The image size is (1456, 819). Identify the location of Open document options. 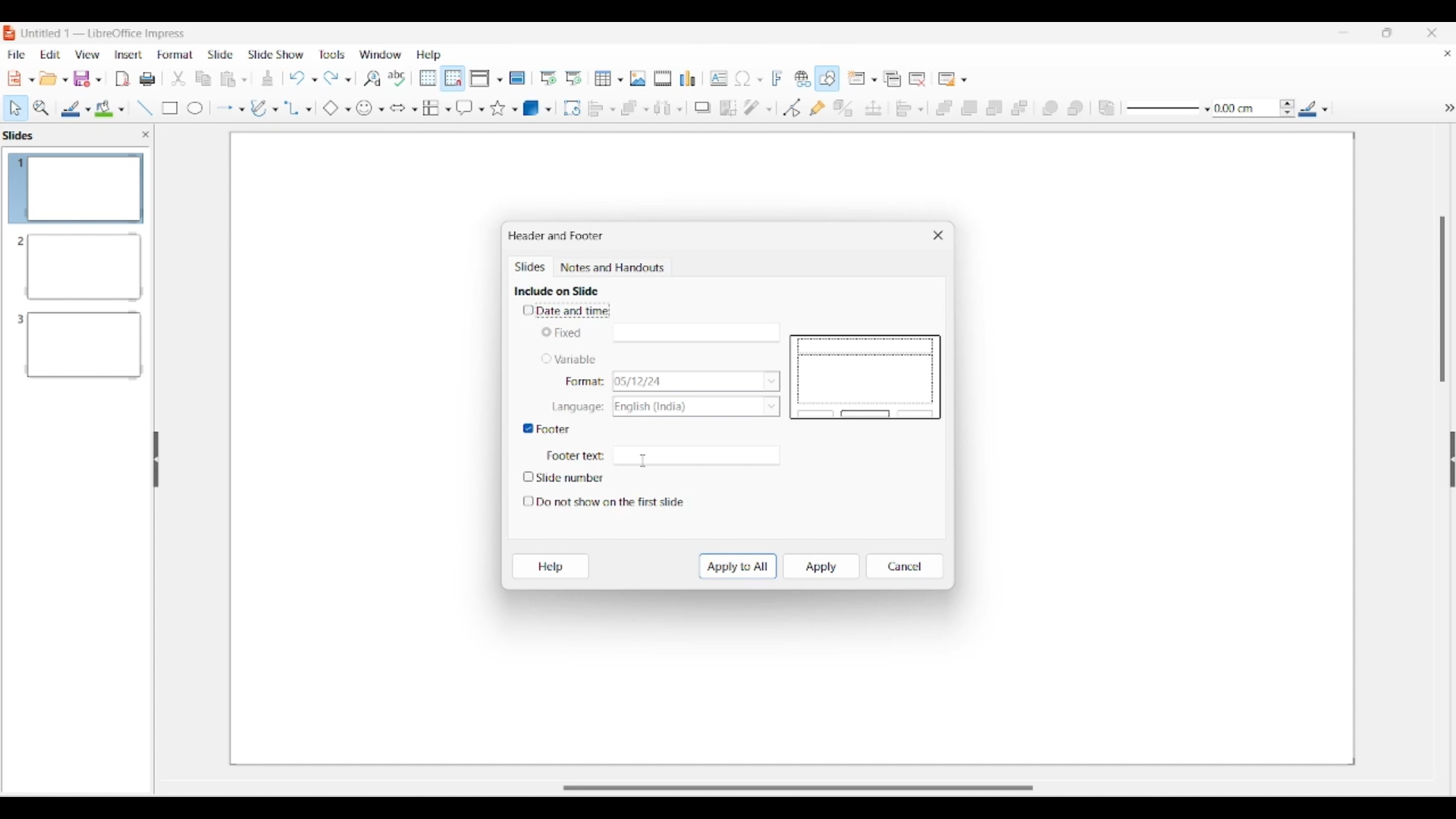
(53, 78).